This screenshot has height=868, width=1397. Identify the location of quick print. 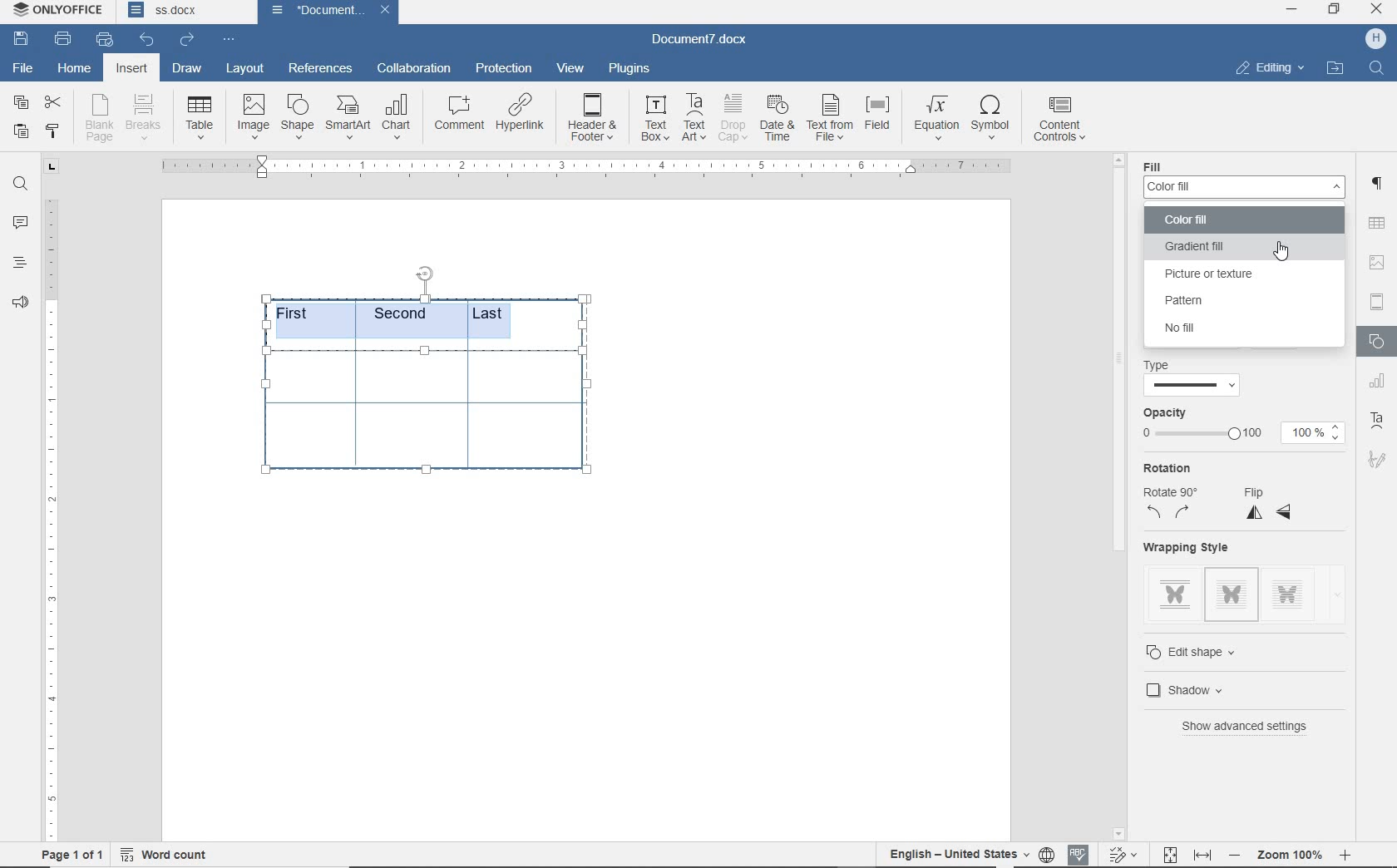
(104, 40).